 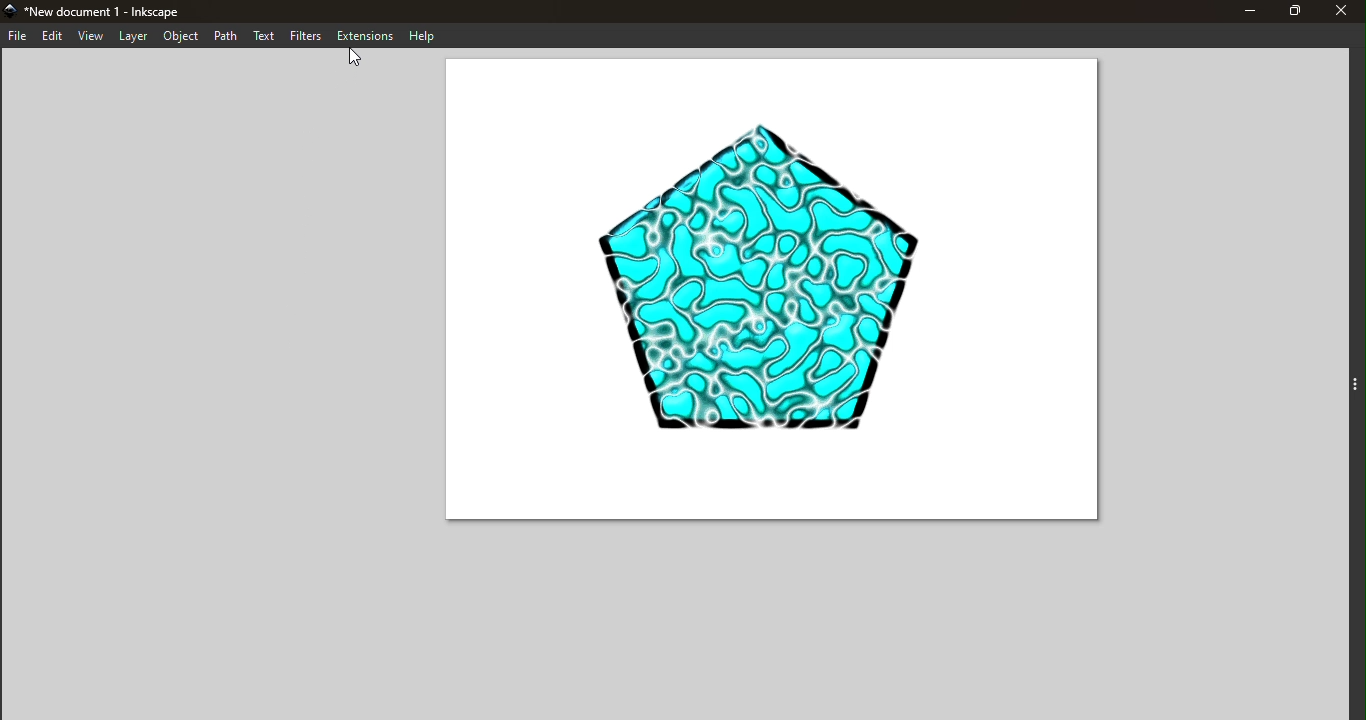 I want to click on Close, so click(x=1339, y=13).